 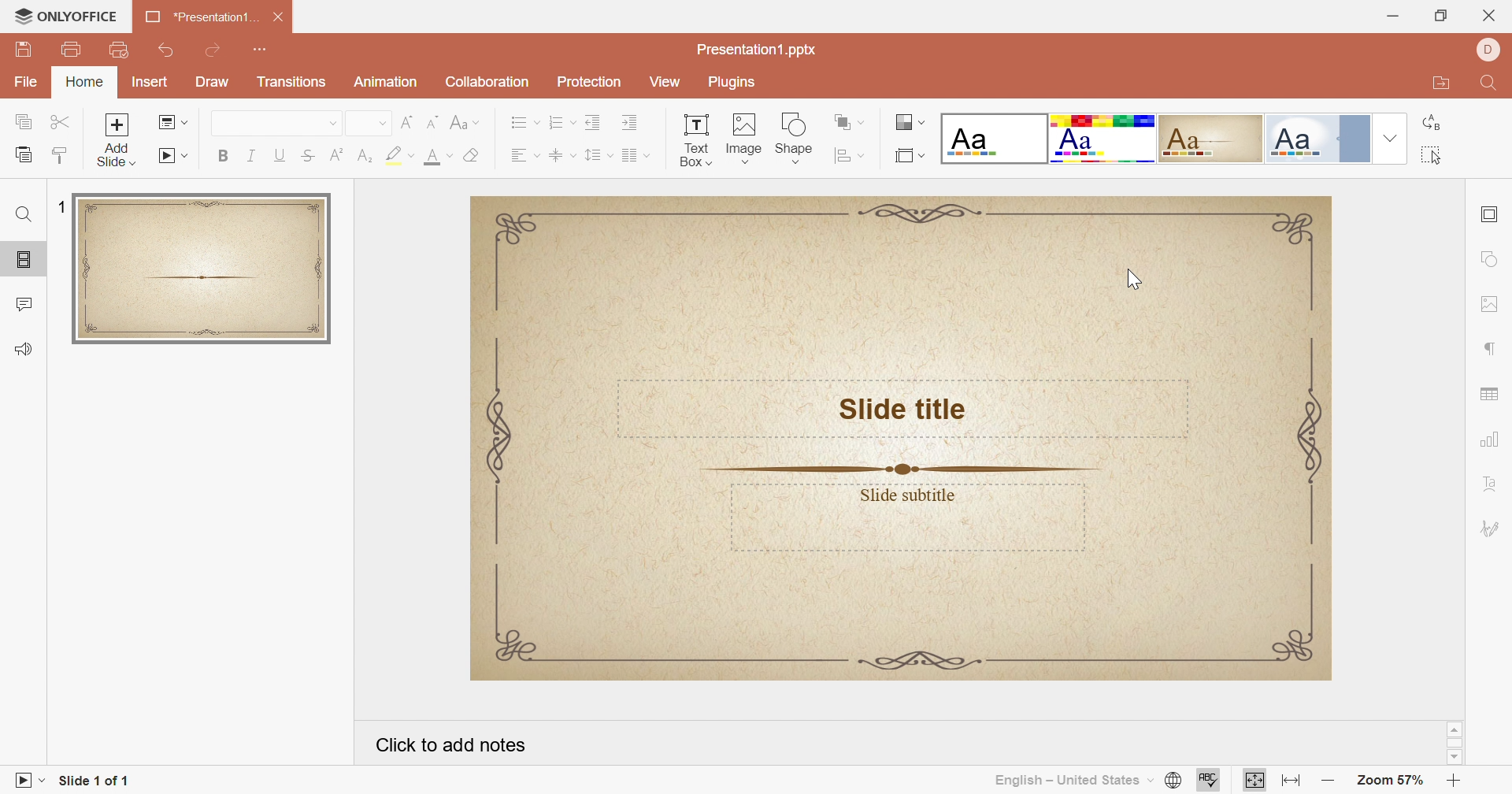 What do you see at coordinates (517, 123) in the screenshot?
I see `Bullets` at bounding box center [517, 123].